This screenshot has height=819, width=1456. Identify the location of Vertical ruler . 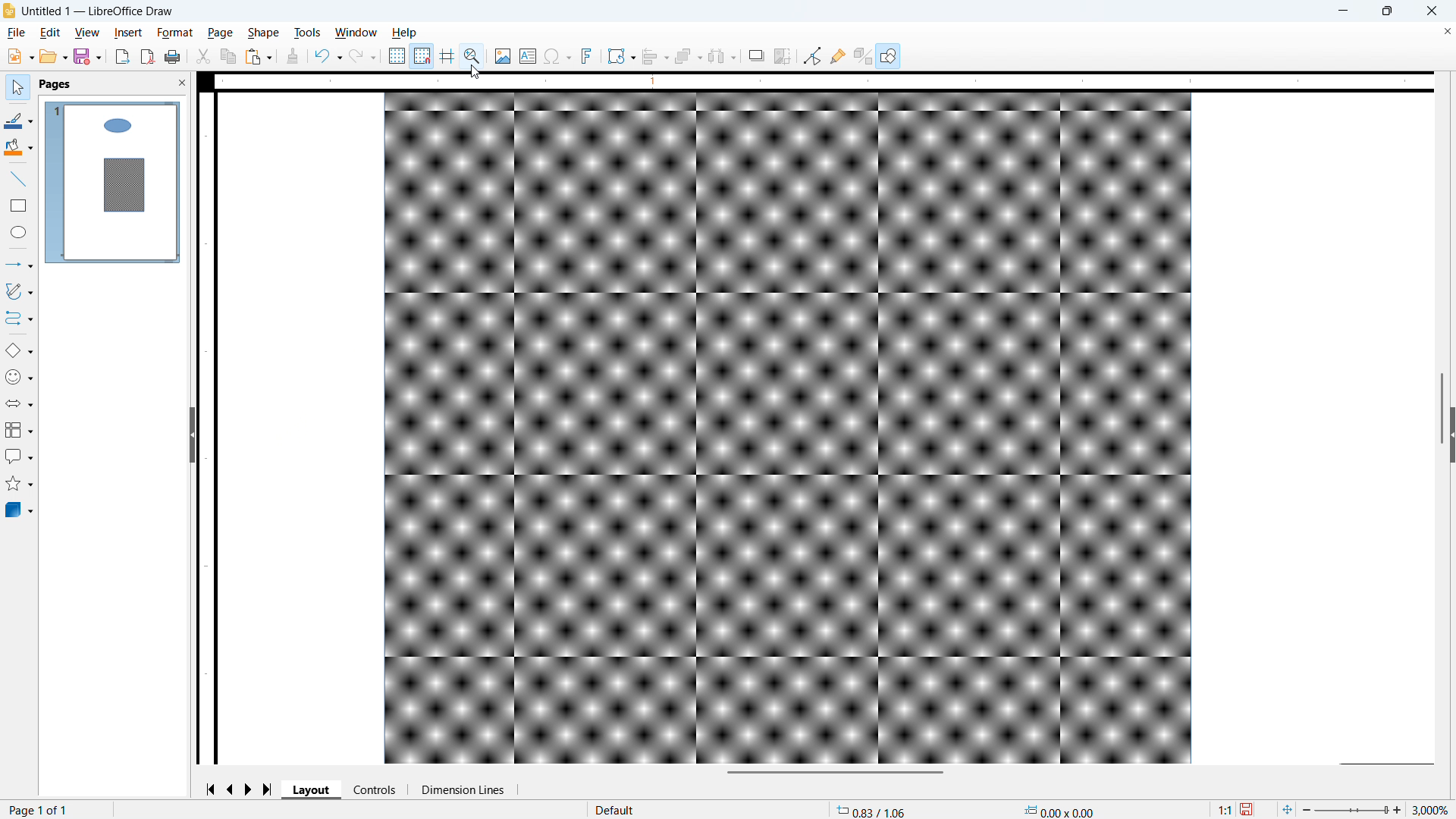
(206, 427).